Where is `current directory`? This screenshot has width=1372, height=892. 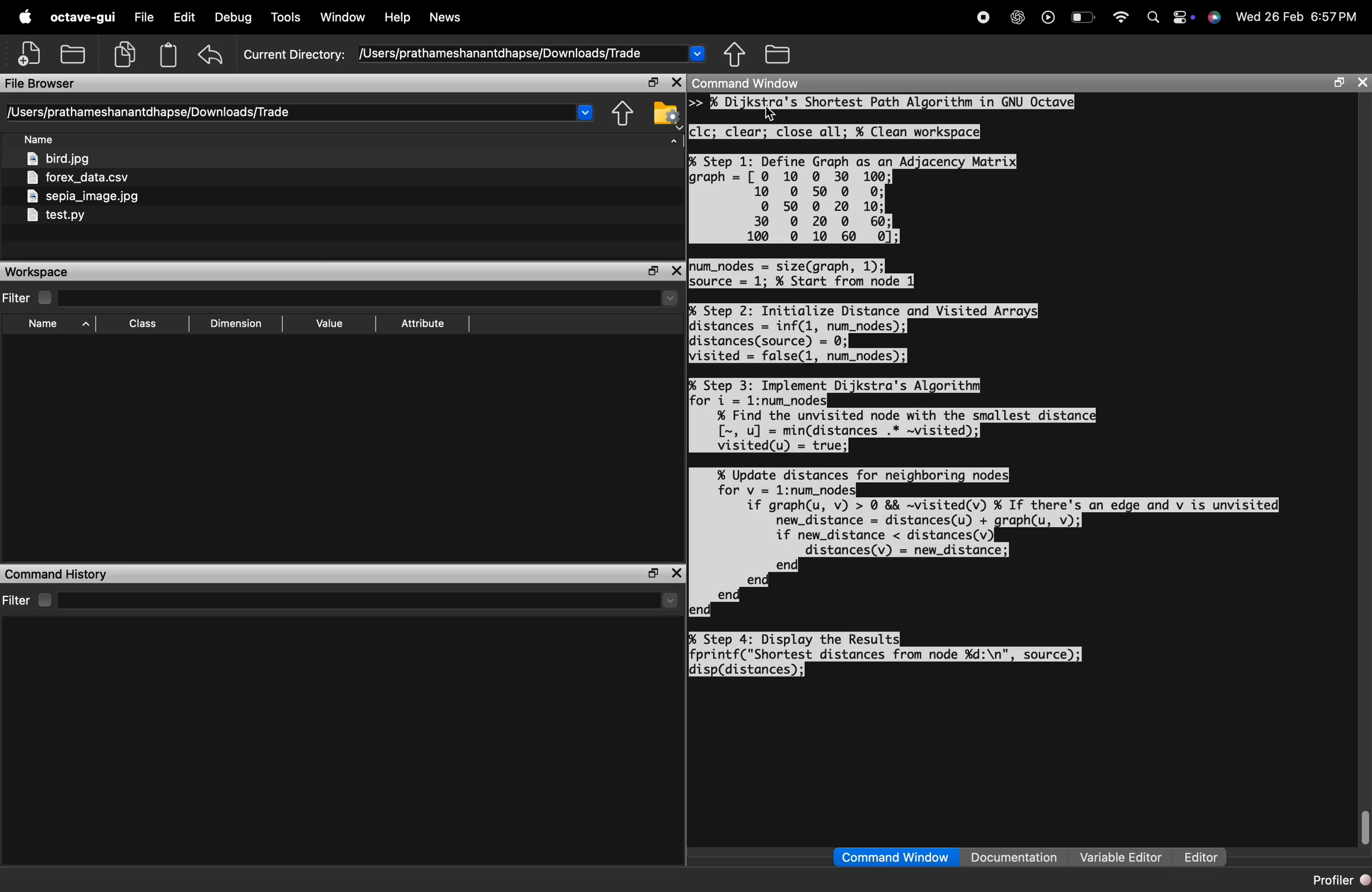
current directory is located at coordinates (473, 54).